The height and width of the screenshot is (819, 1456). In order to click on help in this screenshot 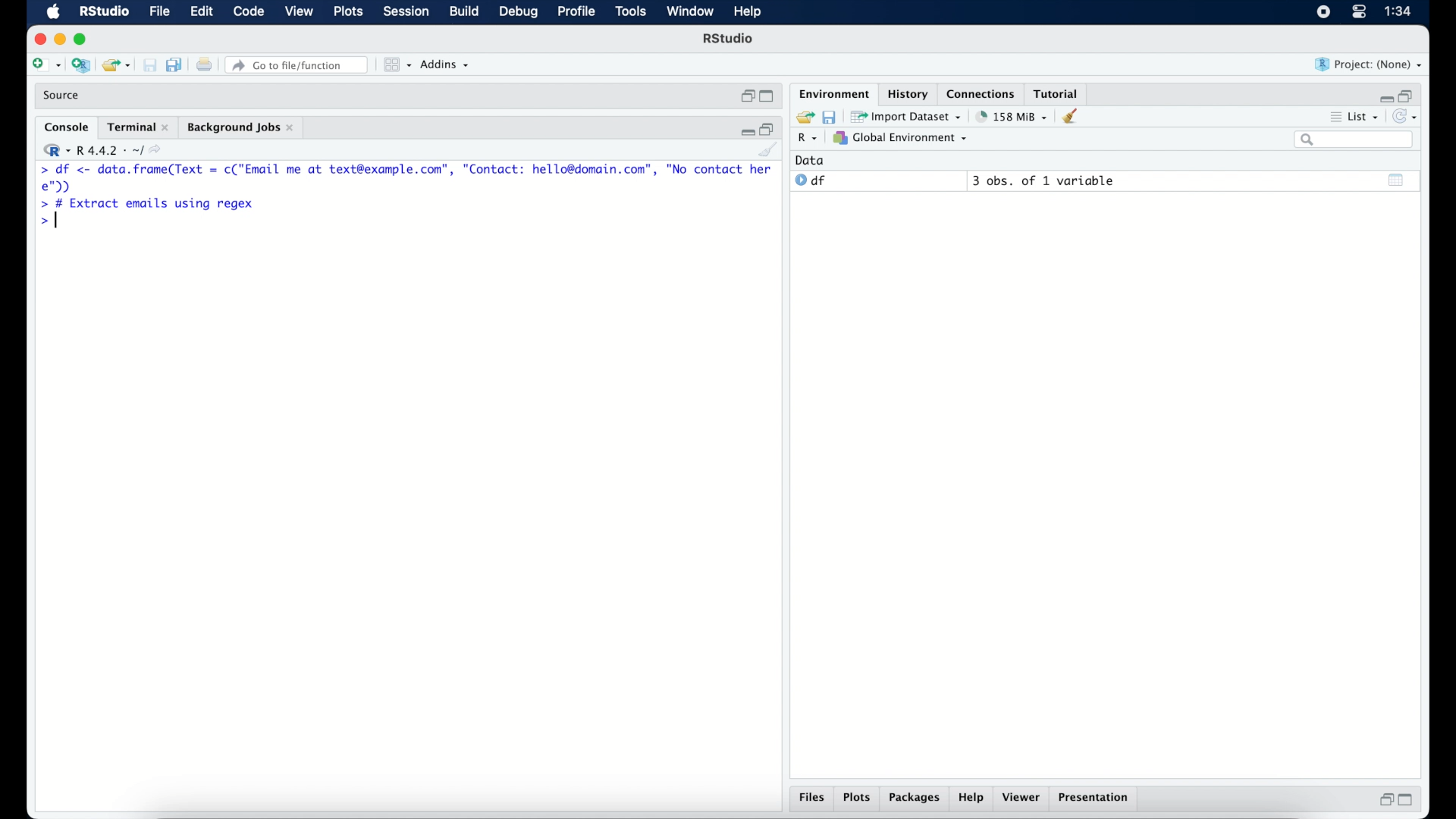, I will do `click(748, 12)`.